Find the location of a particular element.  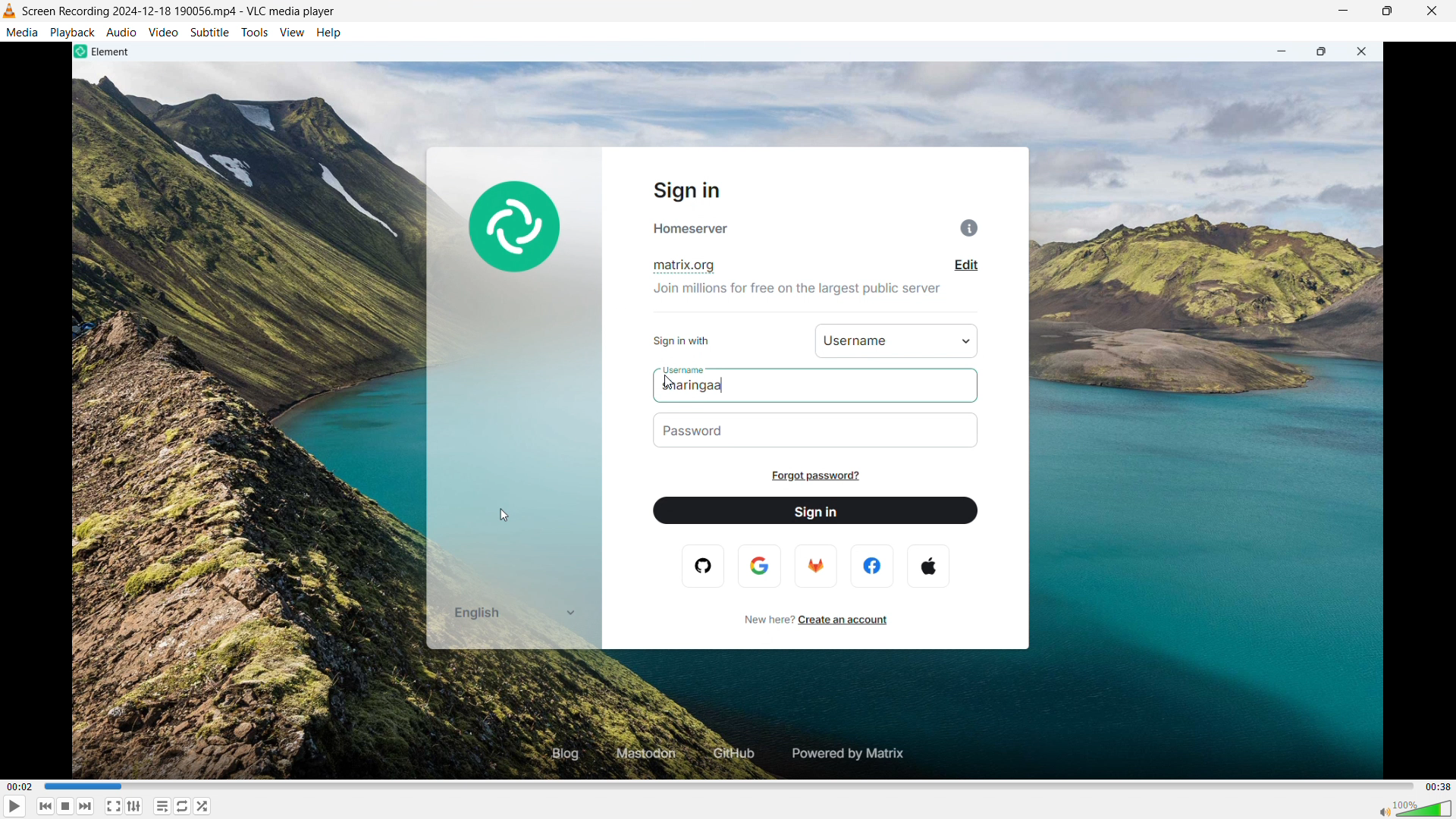

join millions for free on the largest public server. is located at coordinates (805, 295).